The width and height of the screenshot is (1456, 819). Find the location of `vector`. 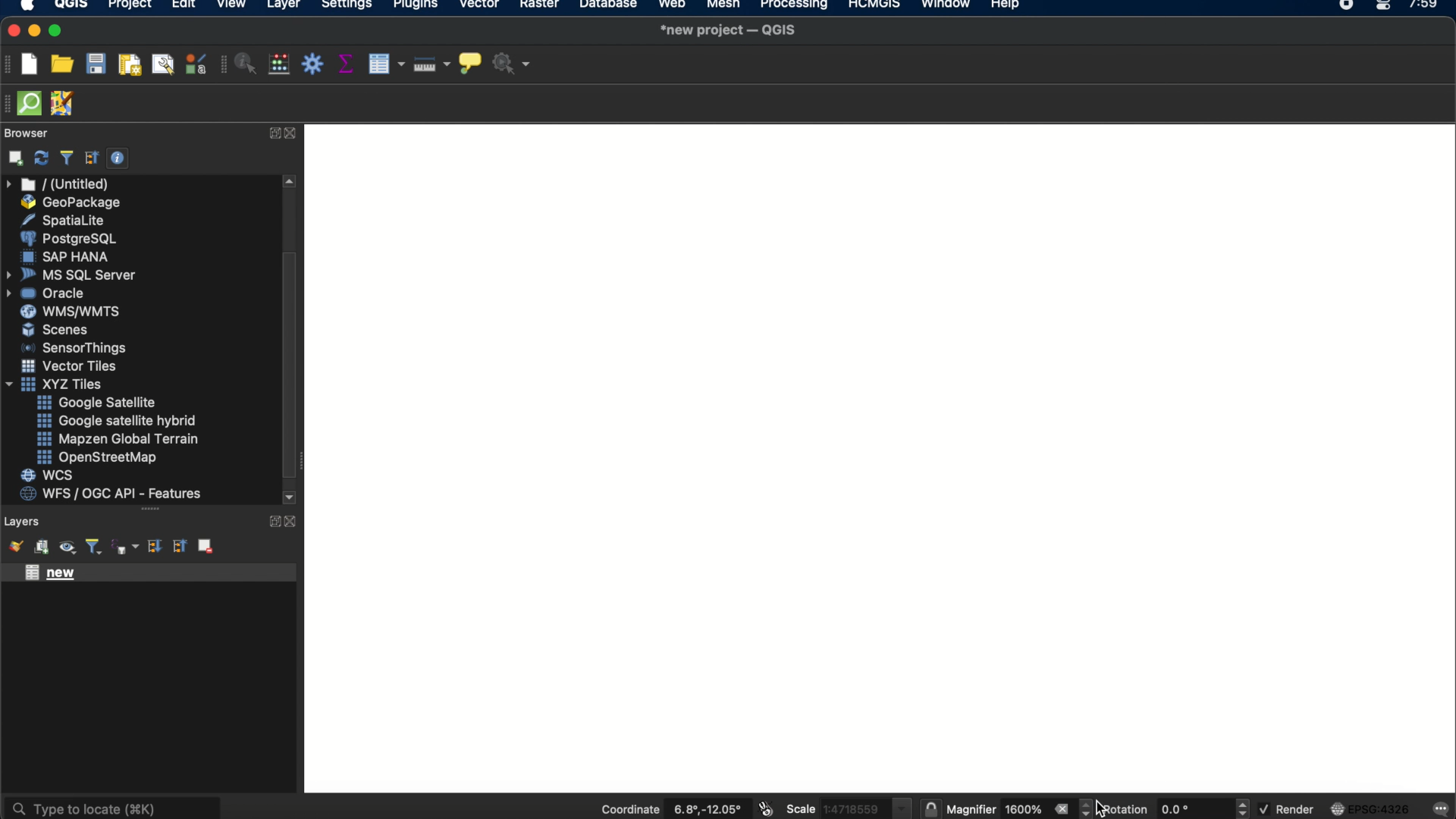

vector is located at coordinates (480, 6).